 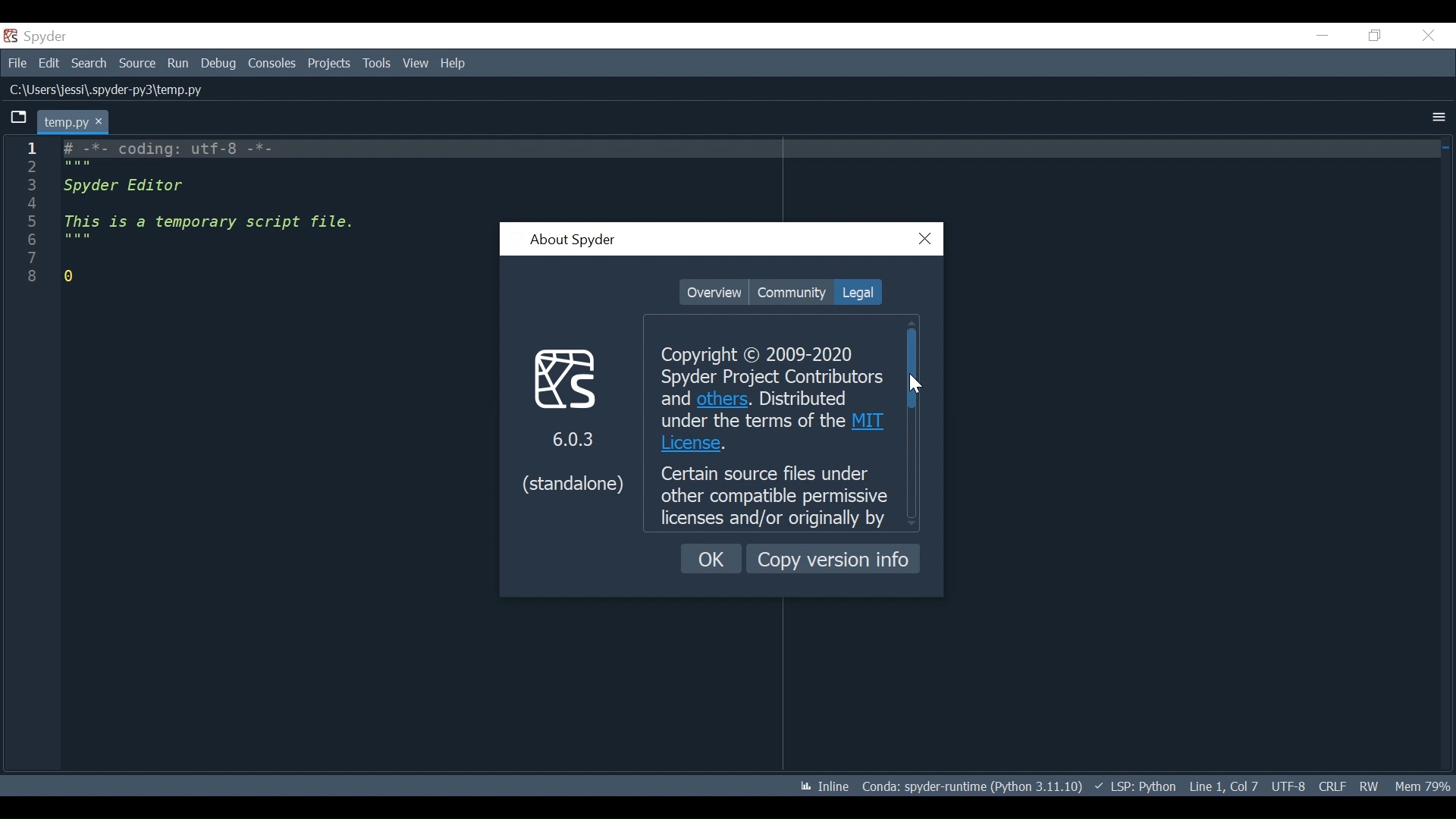 What do you see at coordinates (220, 64) in the screenshot?
I see `Debug` at bounding box center [220, 64].